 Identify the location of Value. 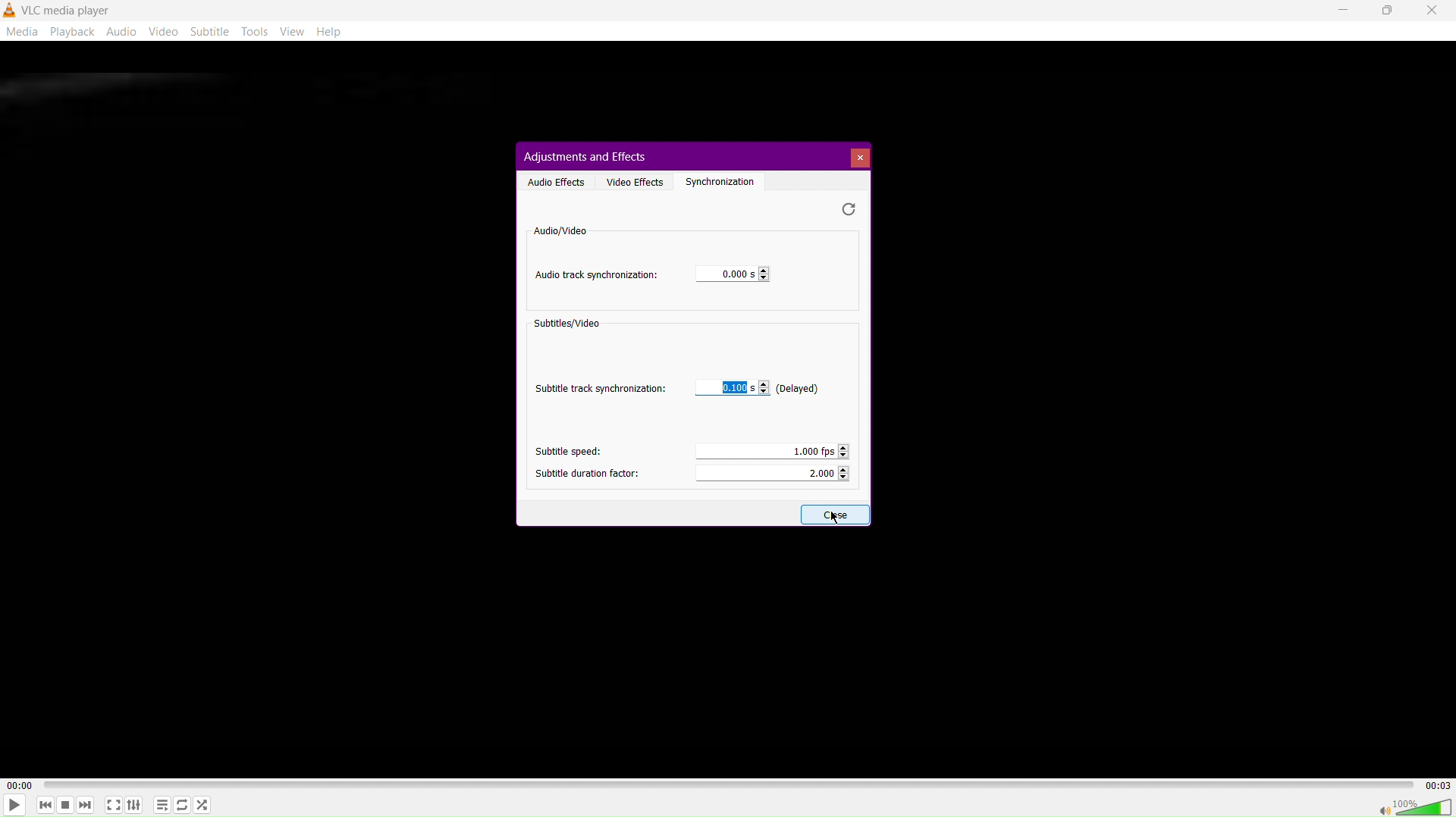
(727, 275).